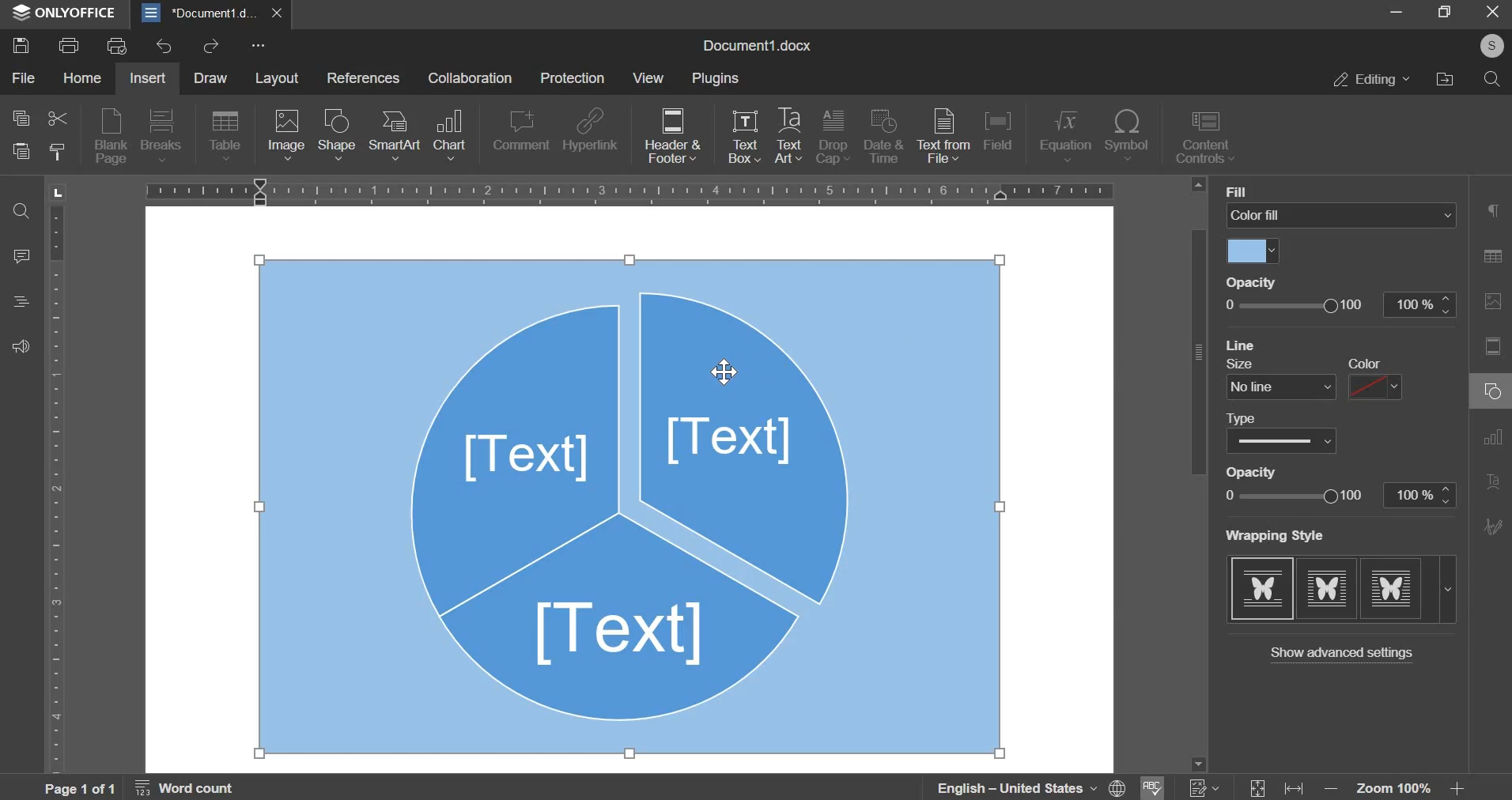  I want to click on print previw, so click(117, 46).